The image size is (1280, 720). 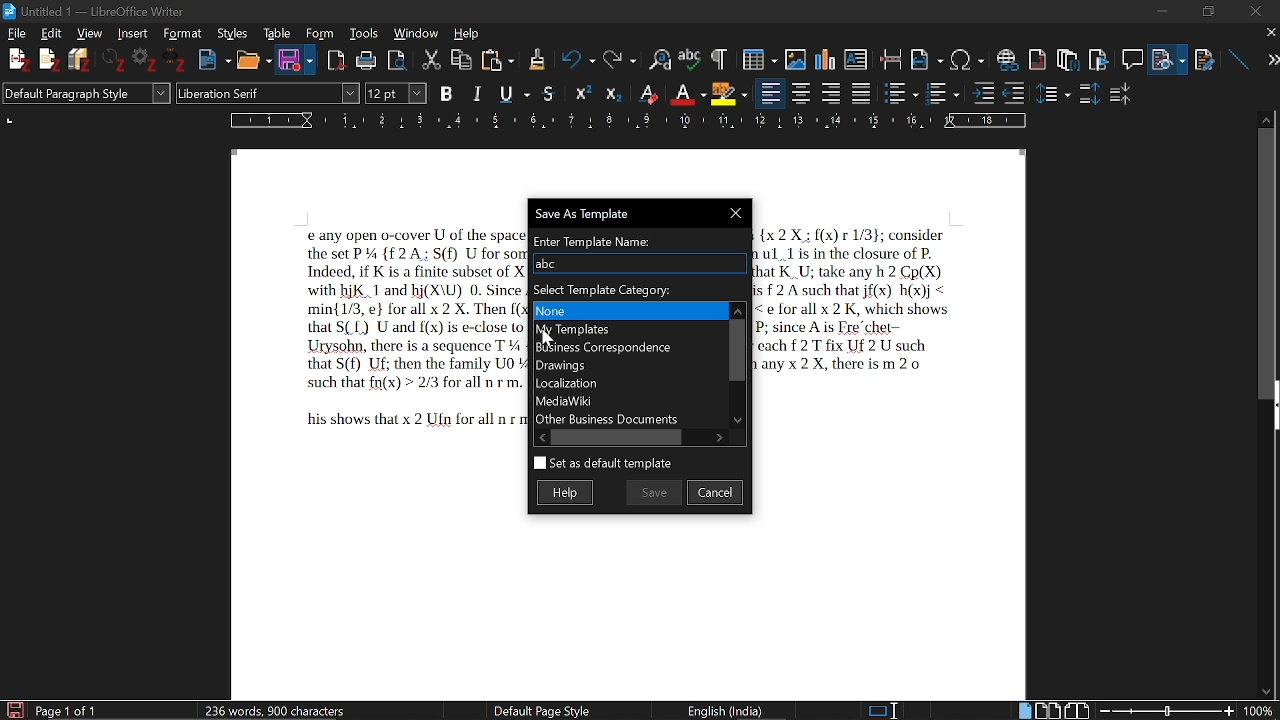 I want to click on Strike through, so click(x=550, y=93).